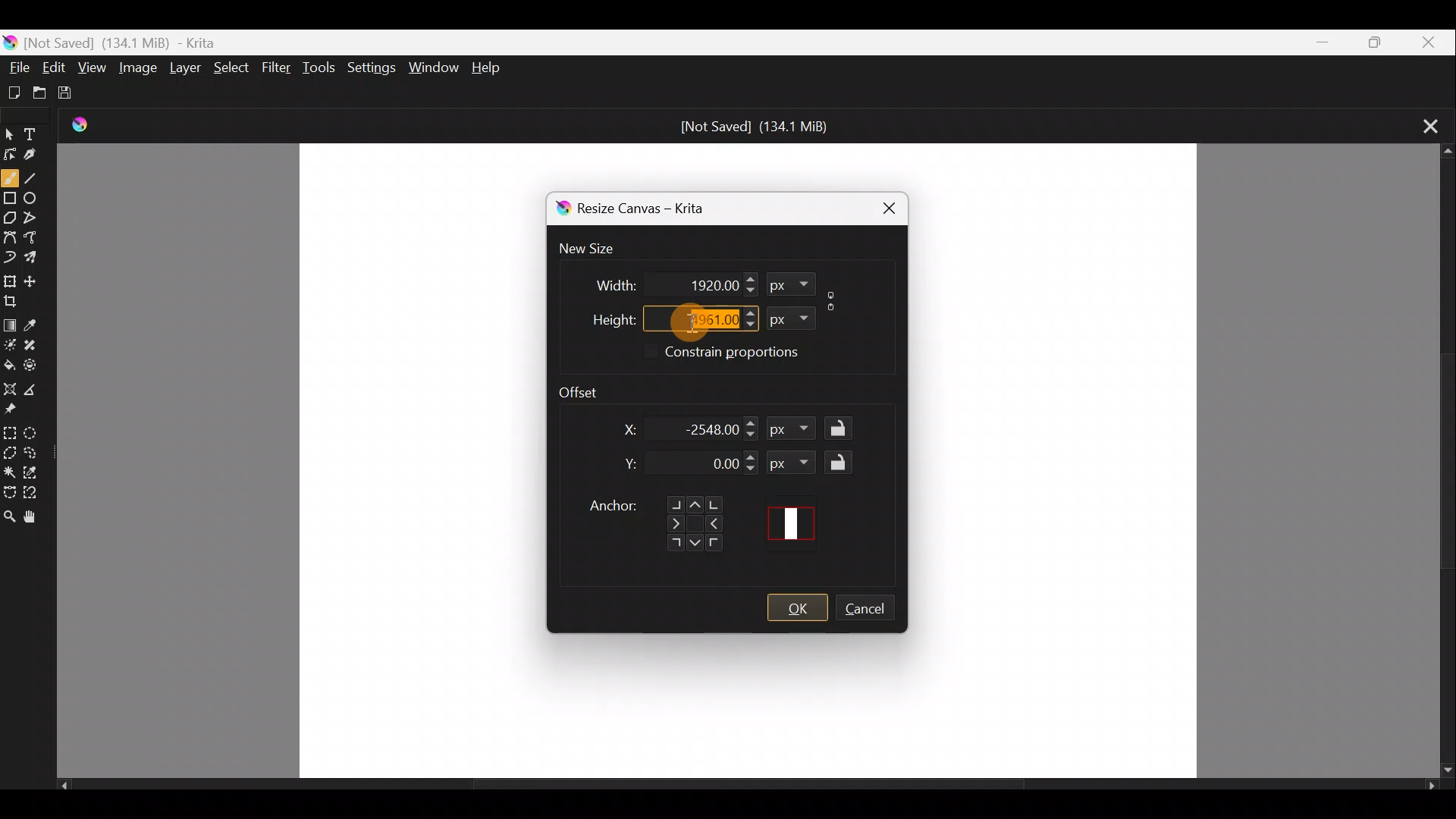  I want to click on Colourise mask tool, so click(12, 342).